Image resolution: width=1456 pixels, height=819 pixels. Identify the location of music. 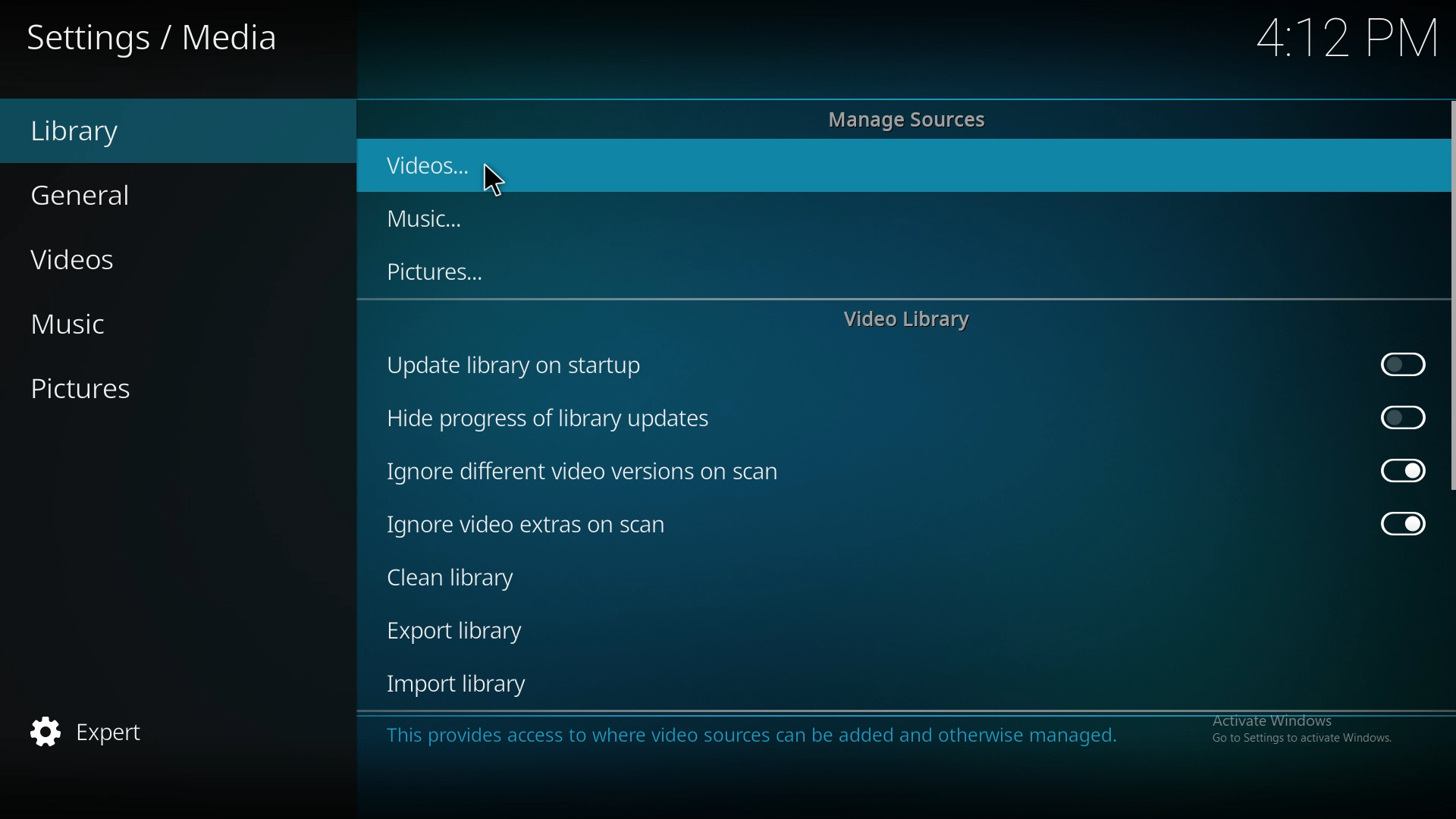
(115, 325).